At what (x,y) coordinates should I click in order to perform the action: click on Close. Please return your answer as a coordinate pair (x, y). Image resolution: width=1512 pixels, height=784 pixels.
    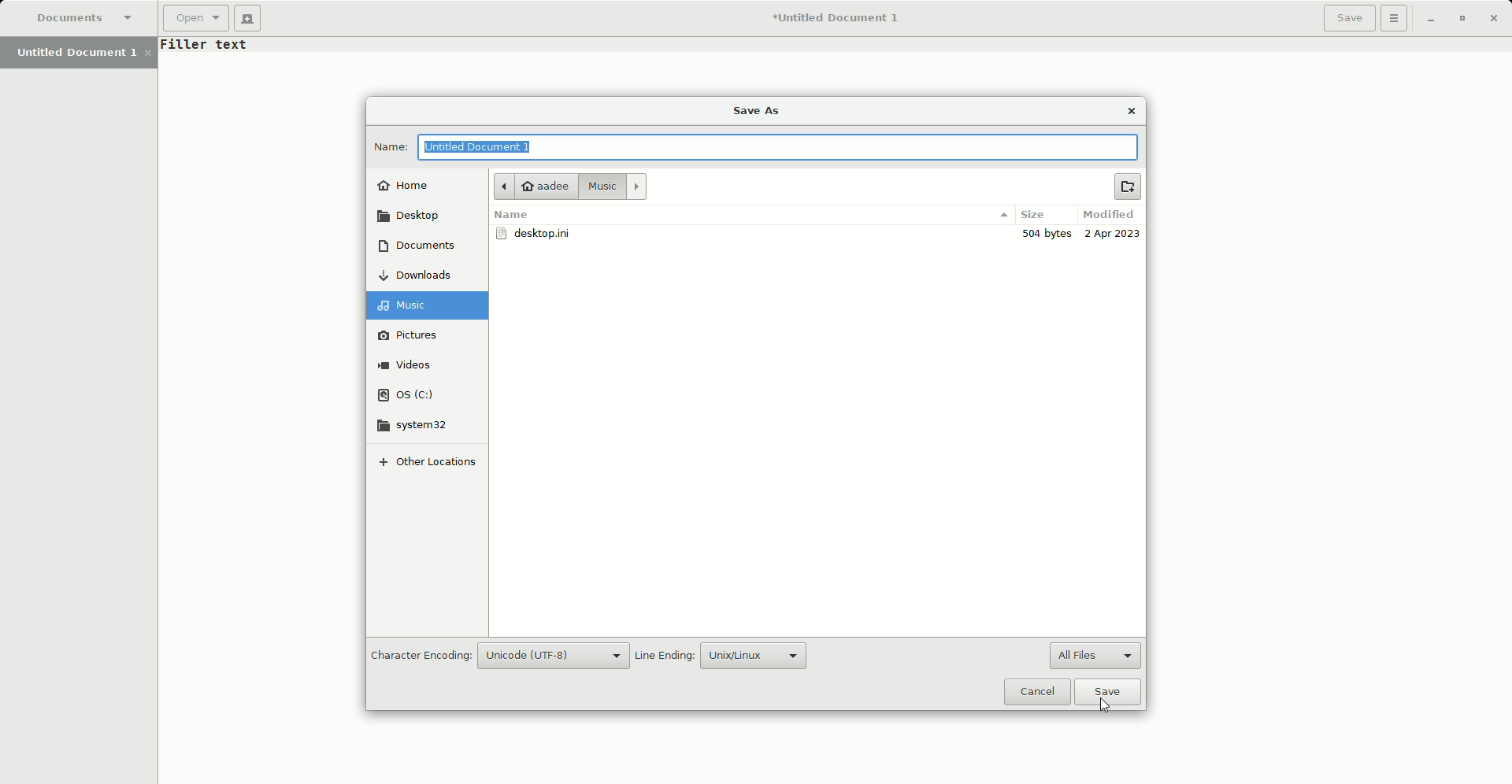
    Looking at the image, I should click on (1497, 20).